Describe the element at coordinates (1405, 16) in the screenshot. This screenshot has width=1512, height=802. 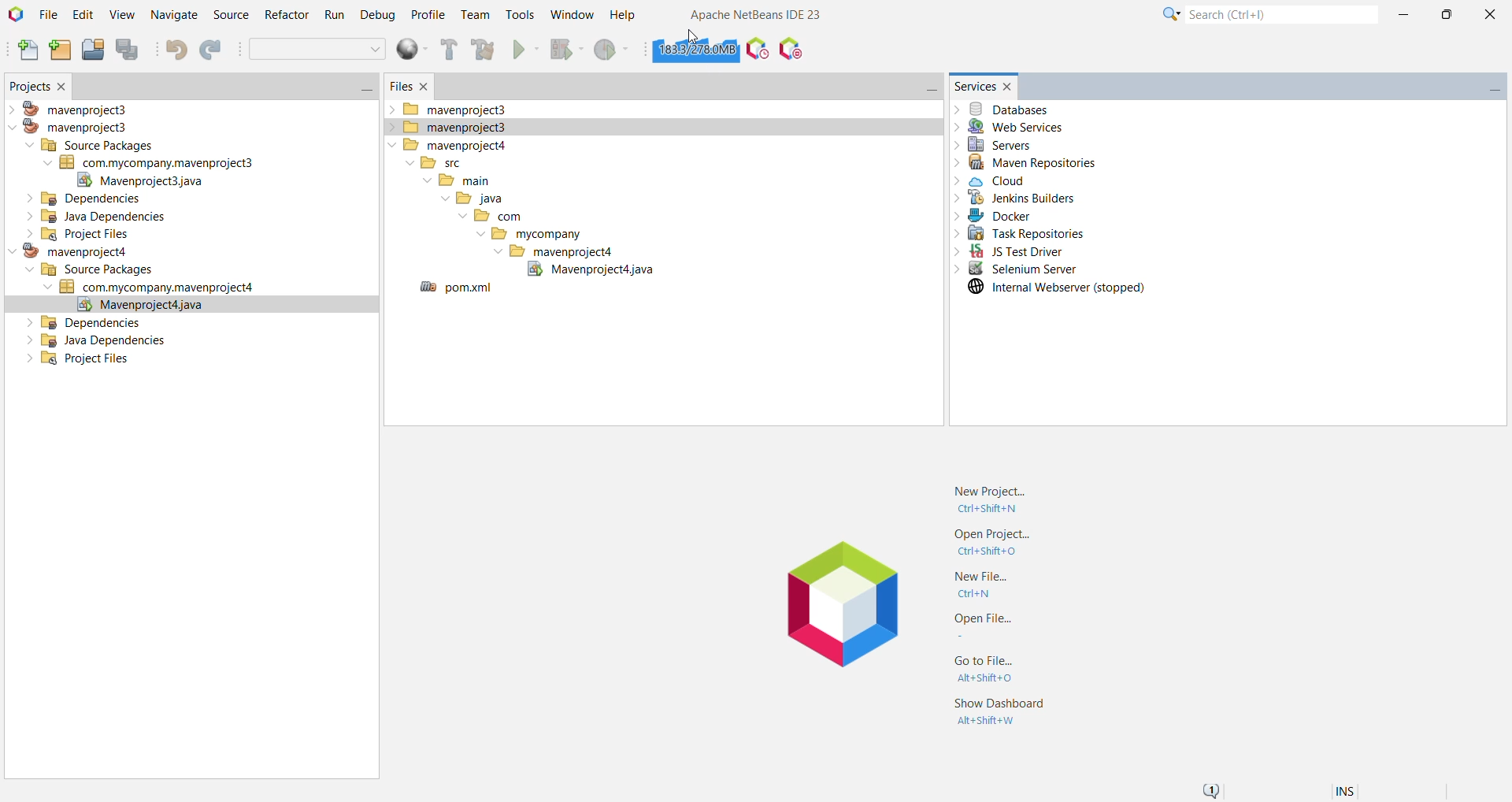
I see `Minimize` at that location.